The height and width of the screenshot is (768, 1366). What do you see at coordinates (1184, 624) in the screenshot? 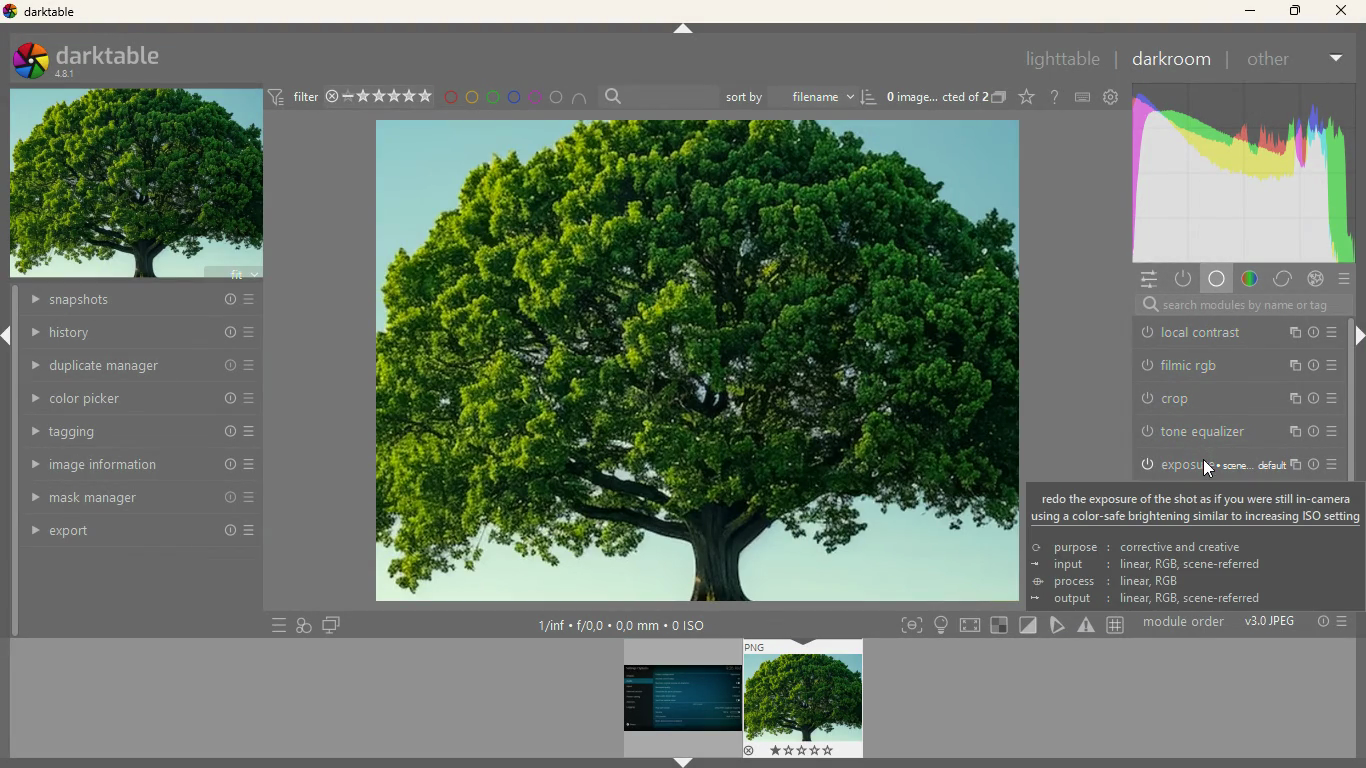
I see `module order` at bounding box center [1184, 624].